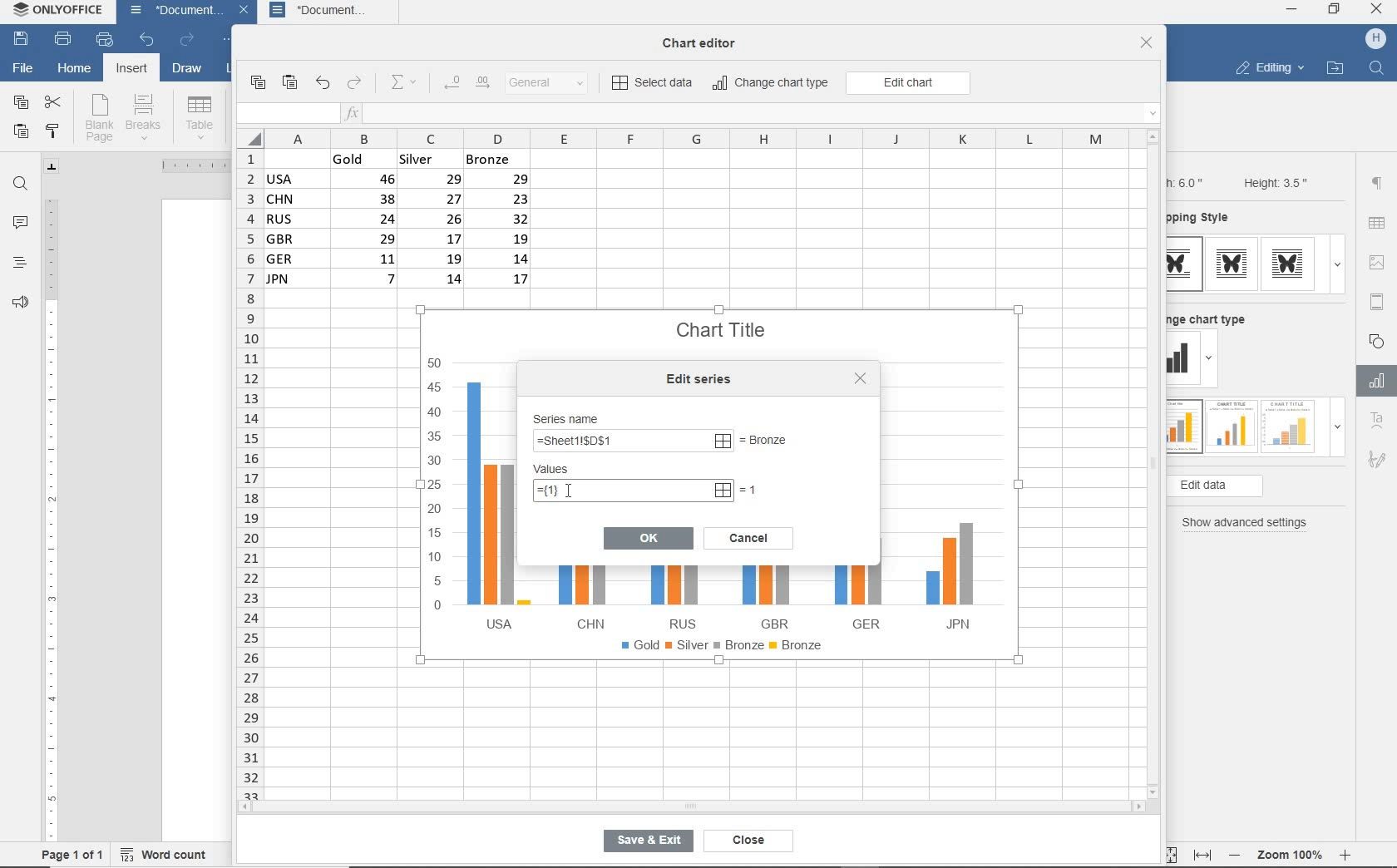  I want to click on type 3, so click(1292, 264).